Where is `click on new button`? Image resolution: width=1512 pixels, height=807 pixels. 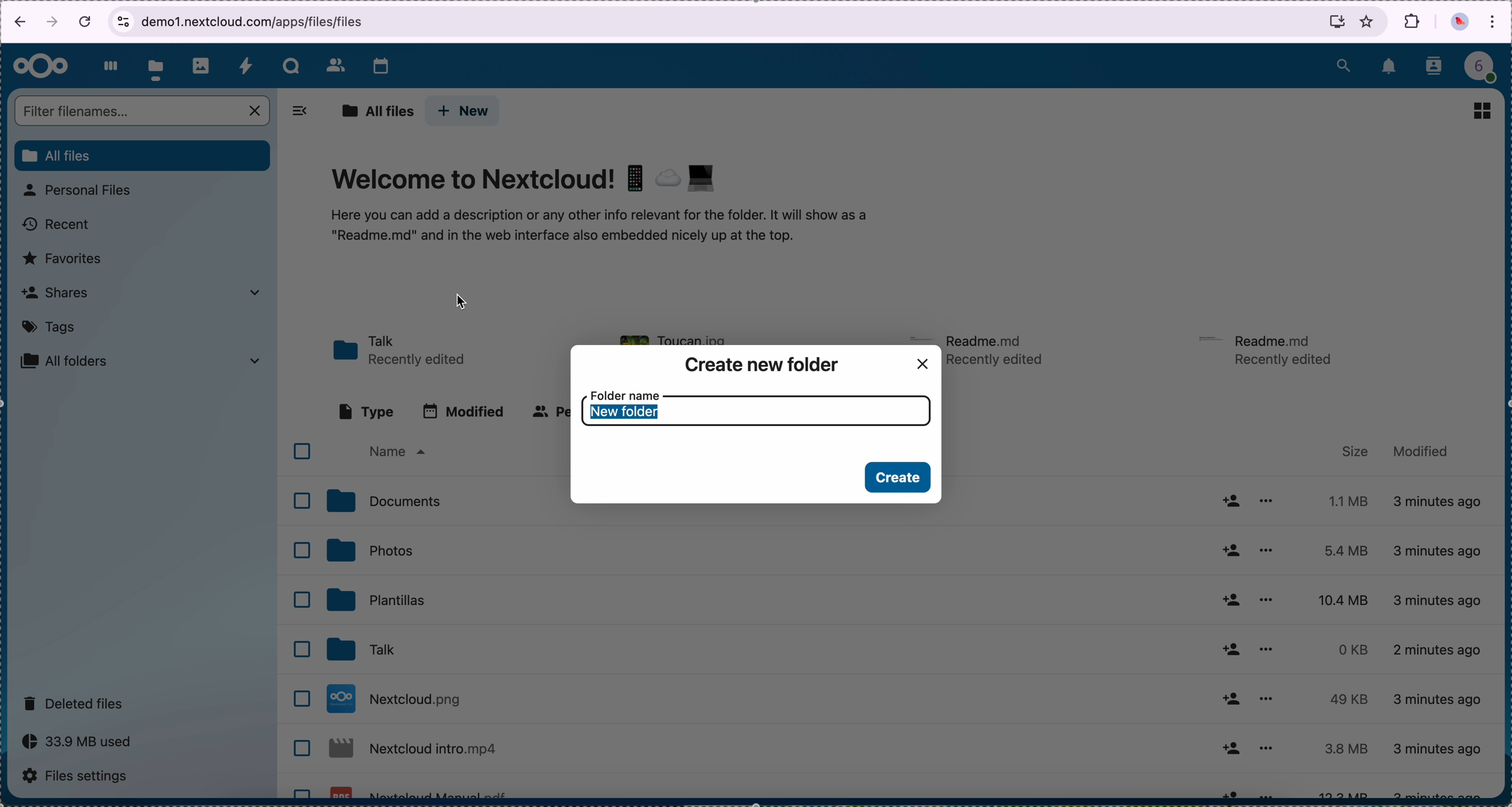
click on new button is located at coordinates (463, 112).